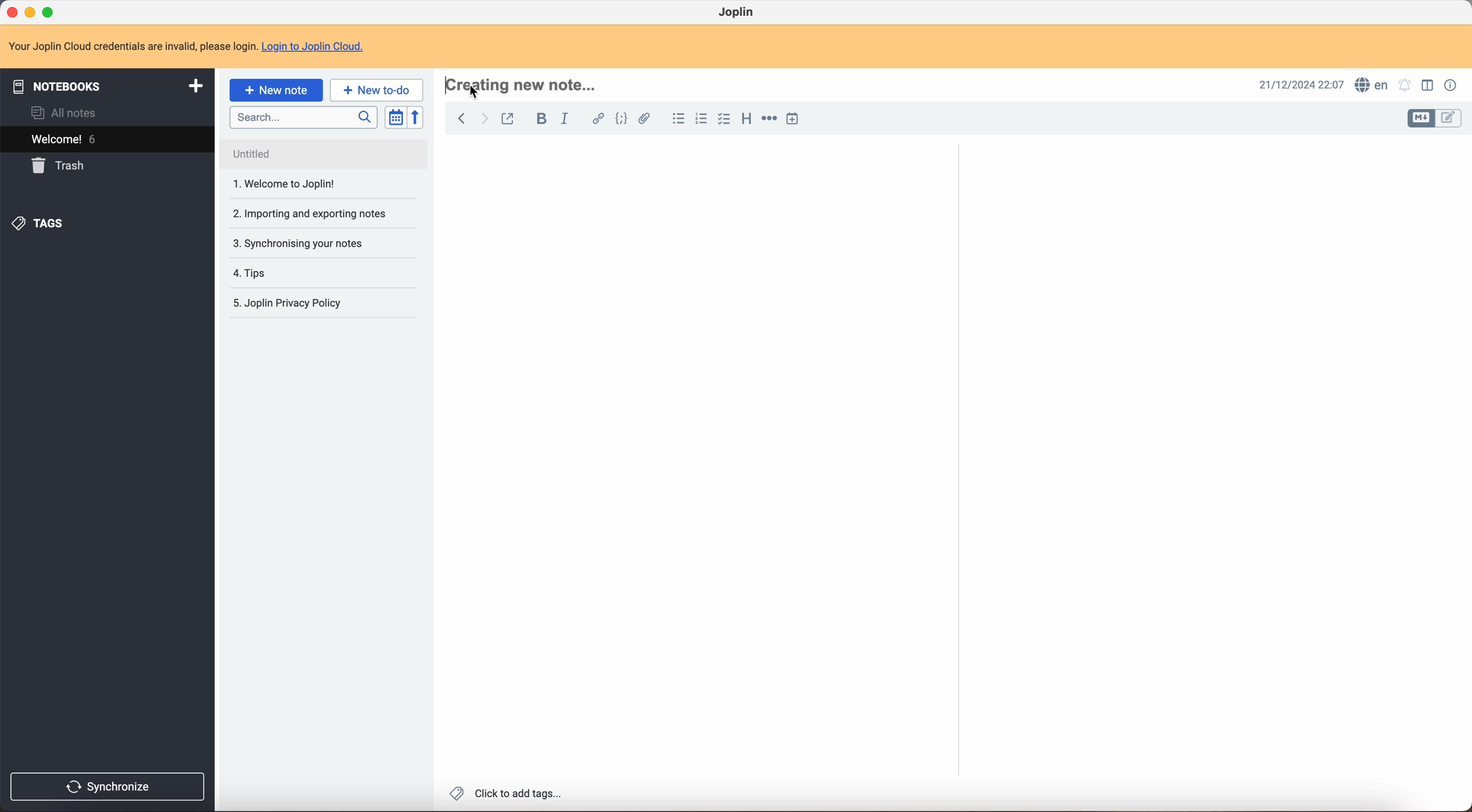  Describe the element at coordinates (475, 91) in the screenshot. I see `Cursor` at that location.